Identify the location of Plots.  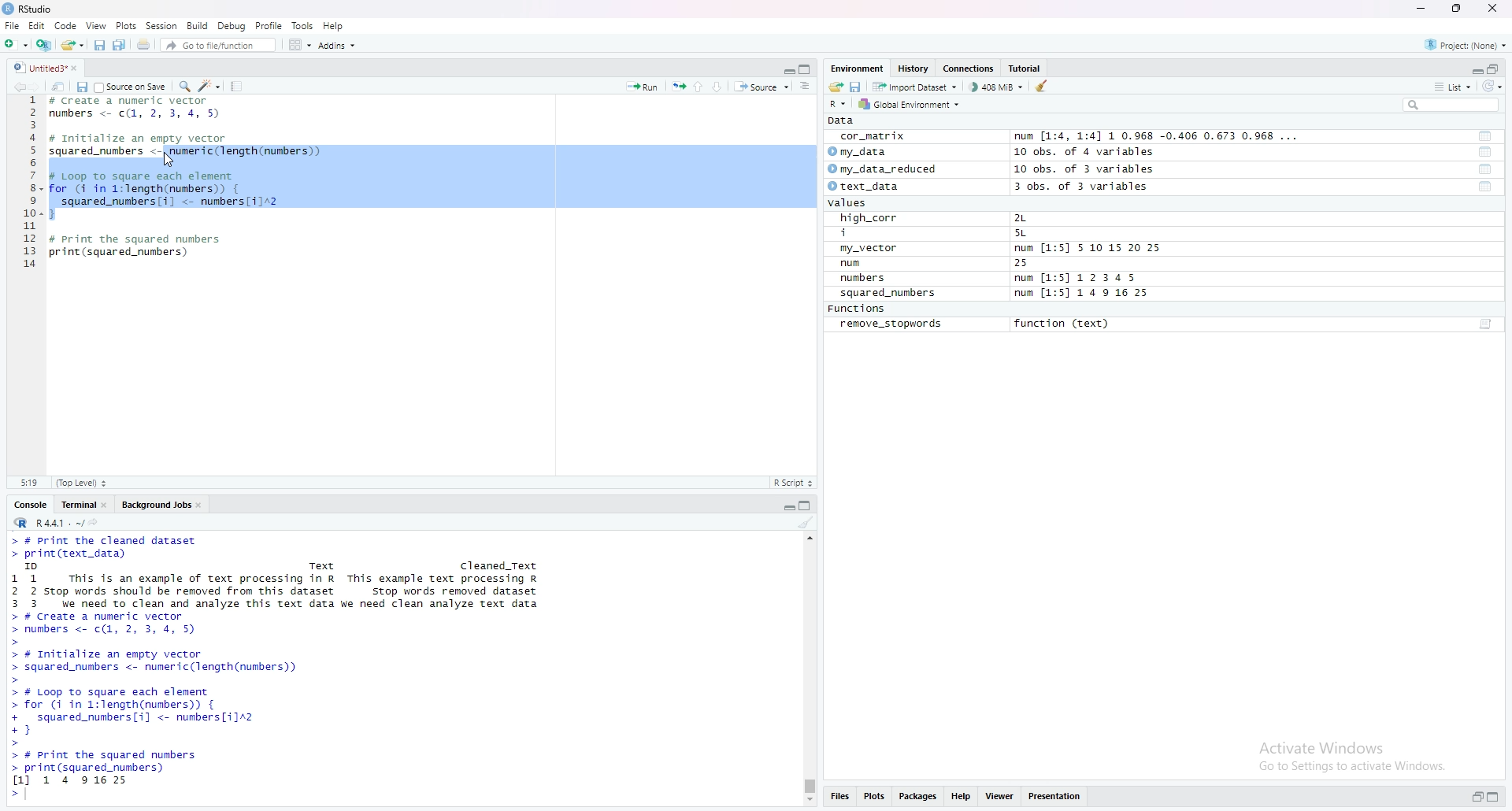
(874, 798).